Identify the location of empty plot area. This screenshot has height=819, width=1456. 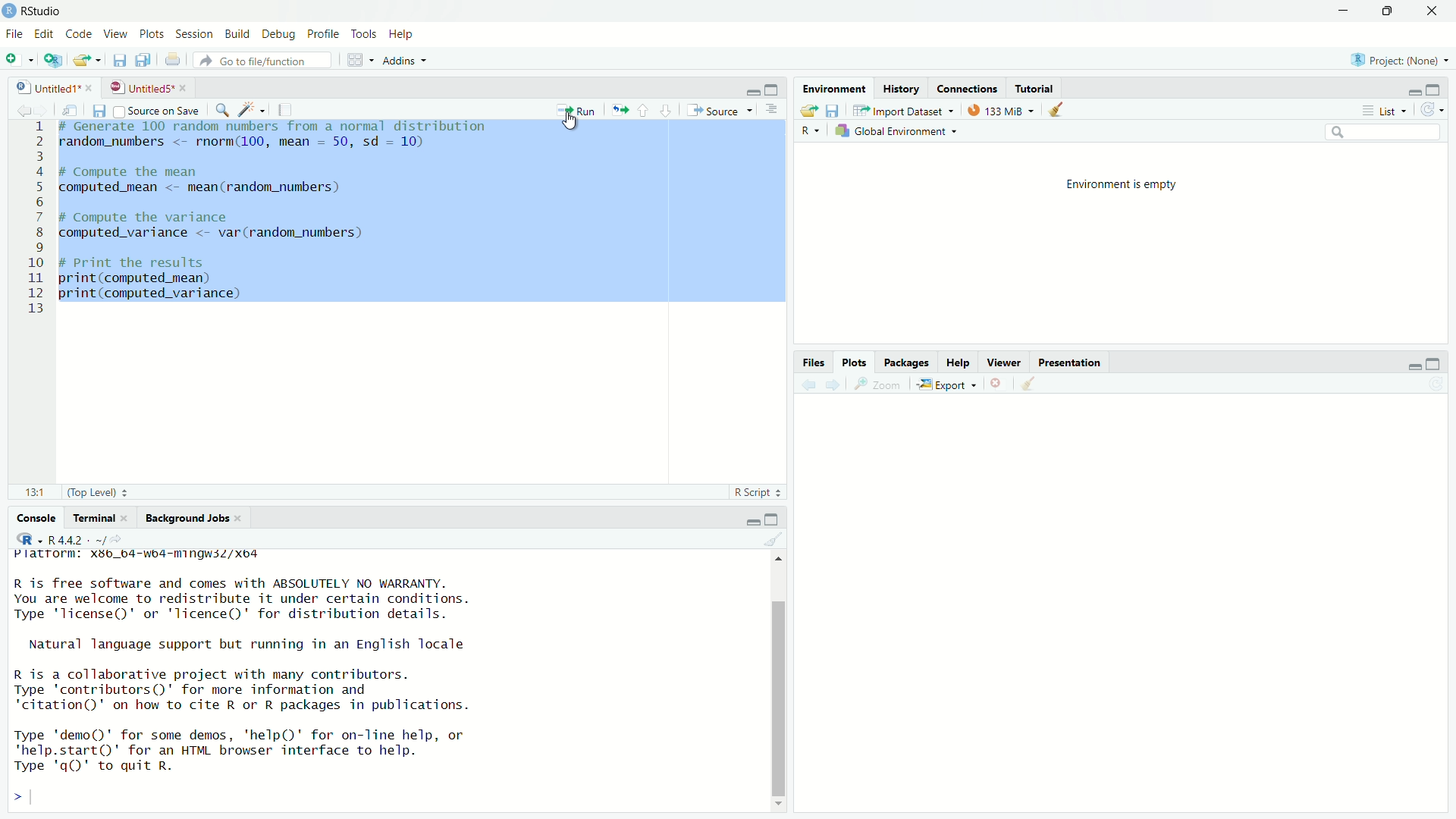
(1127, 621).